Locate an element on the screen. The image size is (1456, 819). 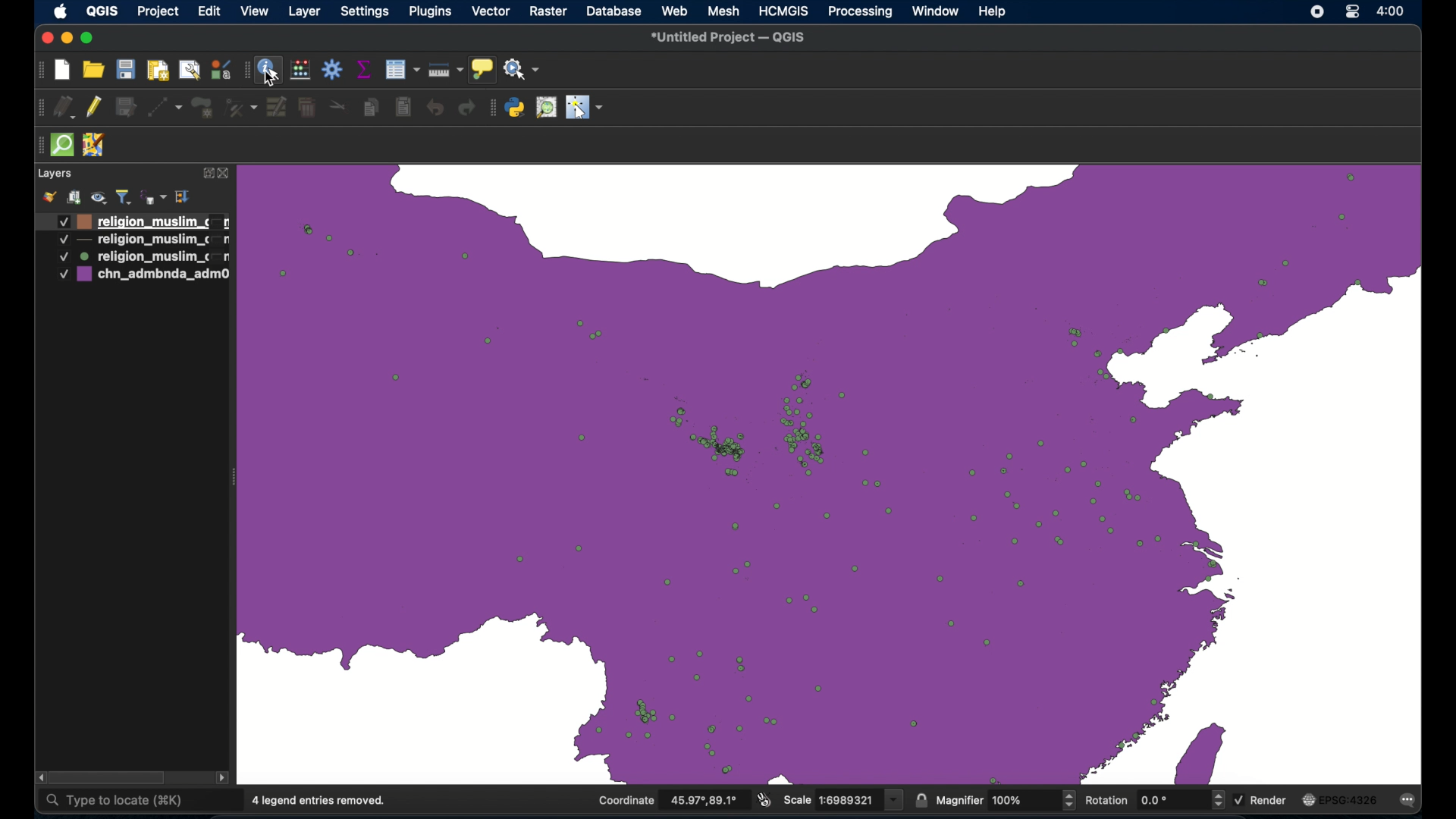
create new project is located at coordinates (64, 71).